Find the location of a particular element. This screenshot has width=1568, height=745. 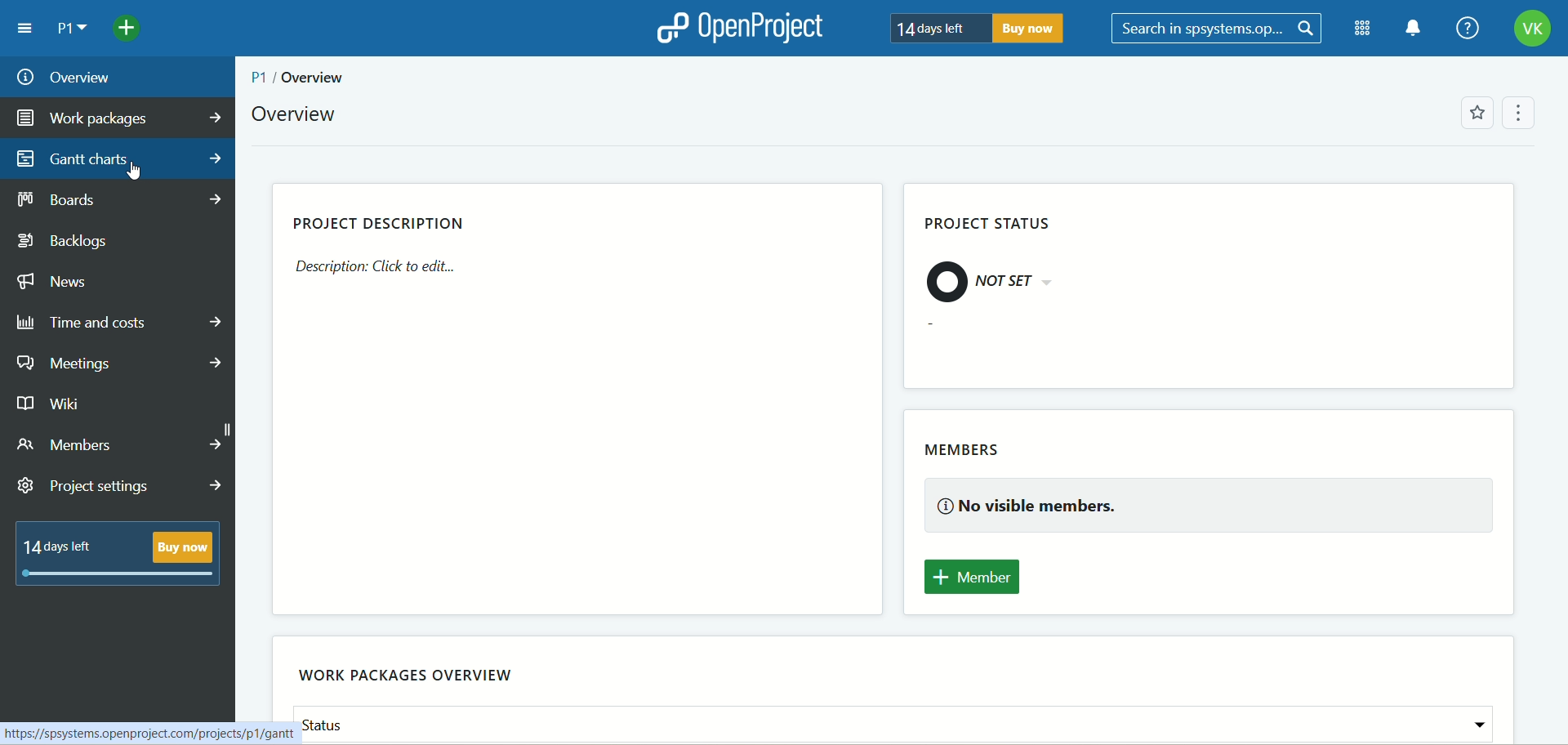

account is located at coordinates (1533, 29).